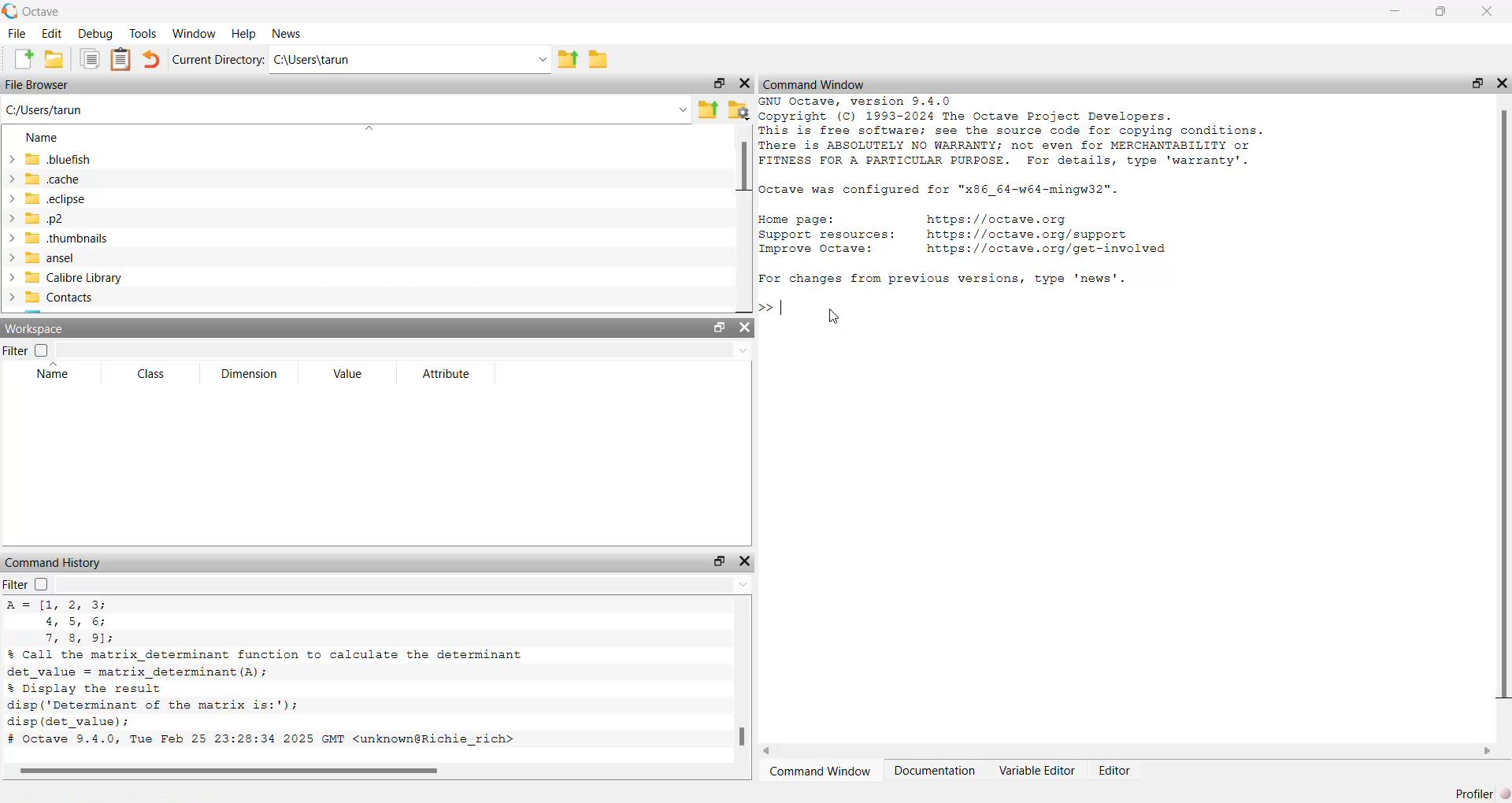 Image resolution: width=1512 pixels, height=803 pixels. I want to click on scrollbar, so click(741, 216).